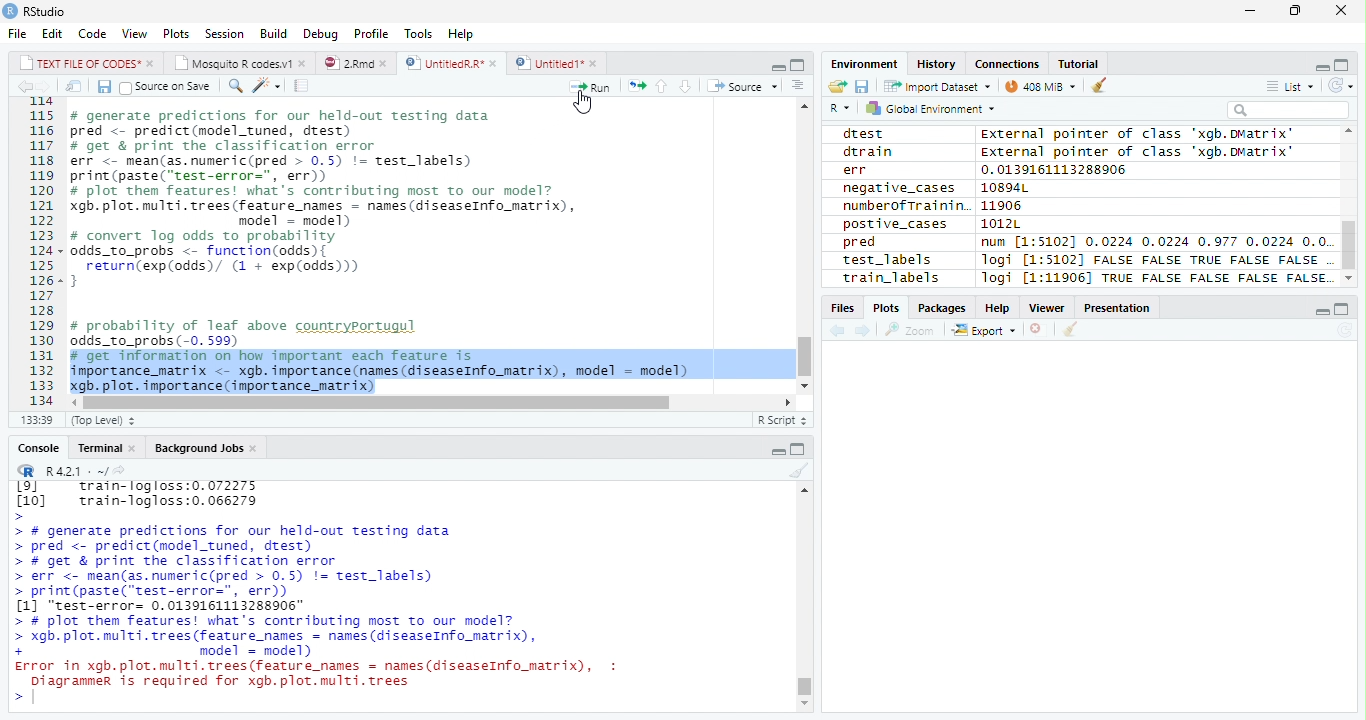 The width and height of the screenshot is (1366, 720). What do you see at coordinates (233, 85) in the screenshot?
I see `Find/Replace` at bounding box center [233, 85].